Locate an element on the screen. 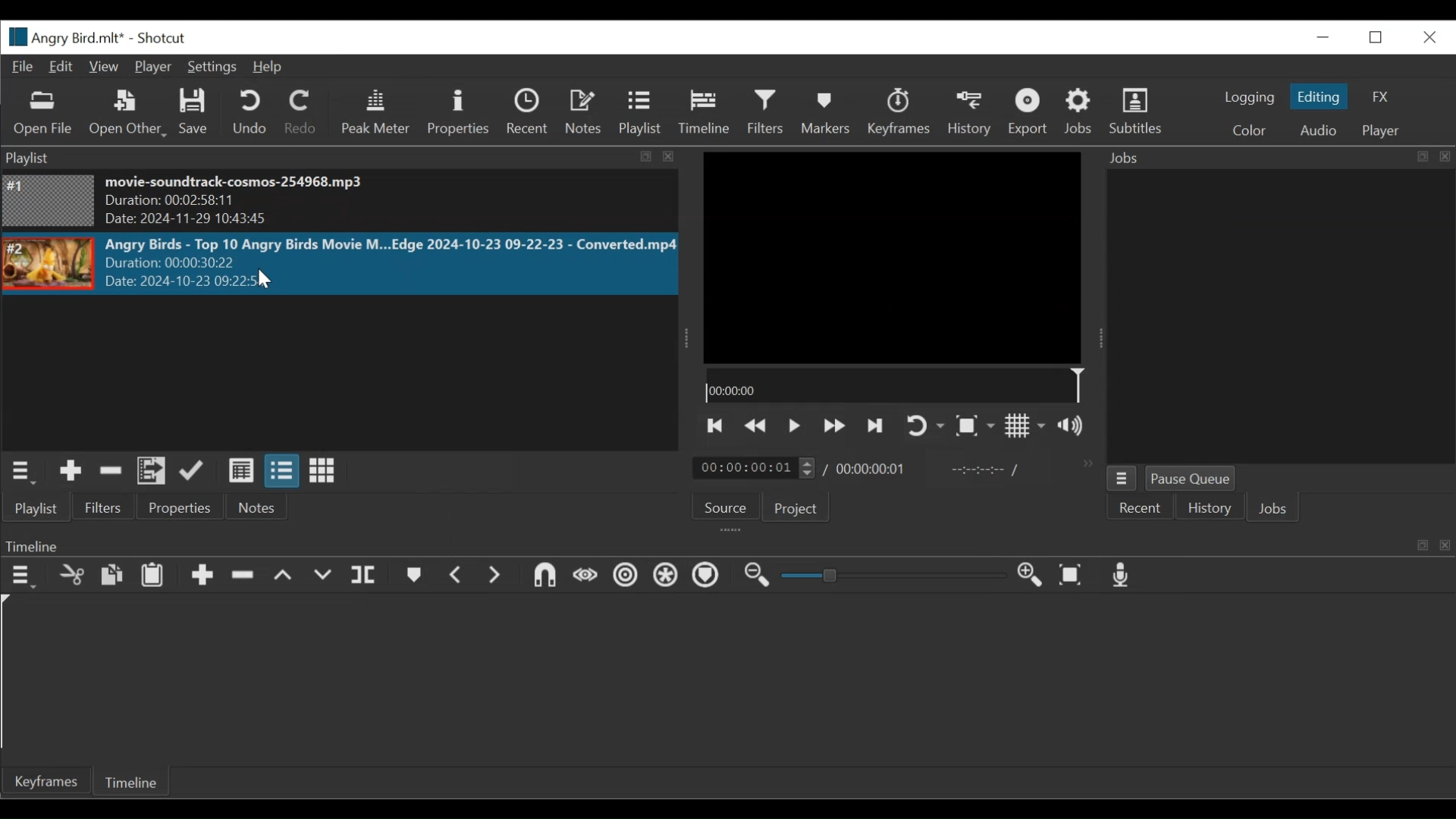  00:00:00(Timeline) is located at coordinates (893, 387).